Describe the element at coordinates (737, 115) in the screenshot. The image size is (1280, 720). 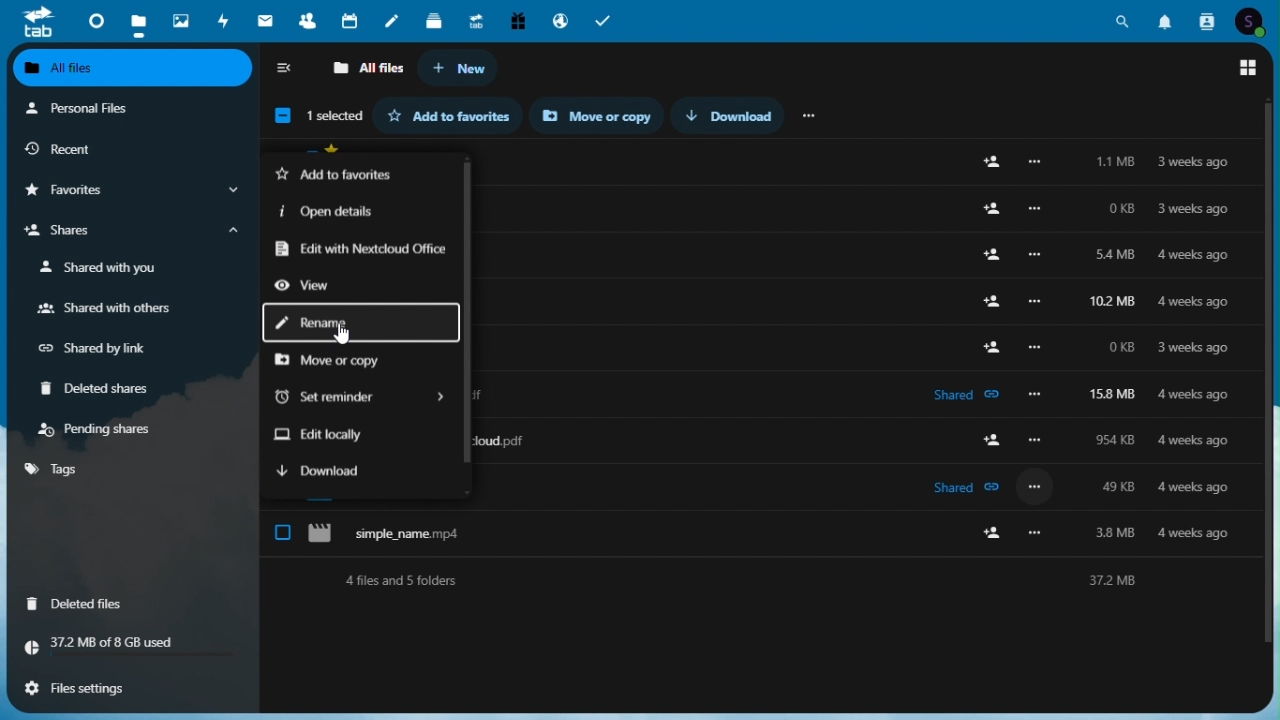
I see `Download` at that location.